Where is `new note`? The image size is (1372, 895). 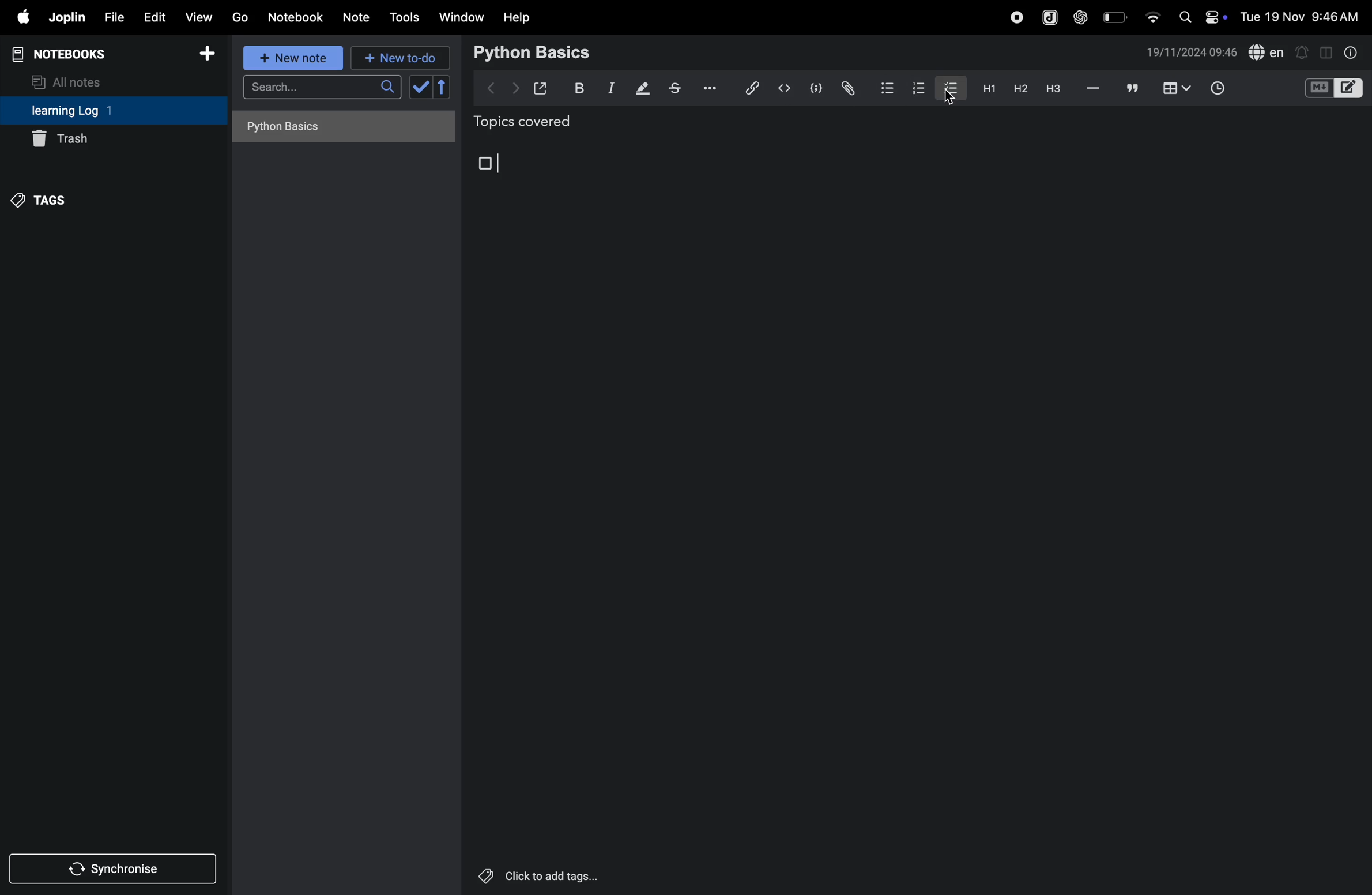 new note is located at coordinates (290, 58).